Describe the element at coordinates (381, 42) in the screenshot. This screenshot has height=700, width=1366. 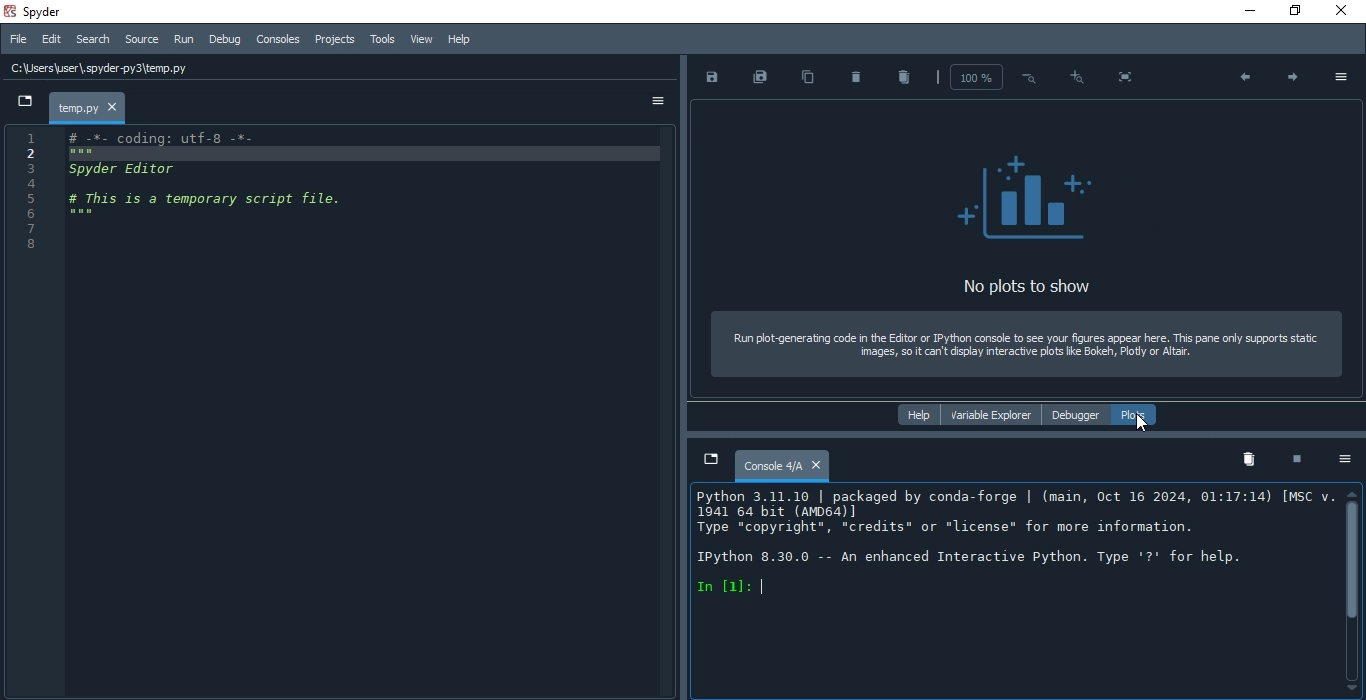
I see `Tools` at that location.